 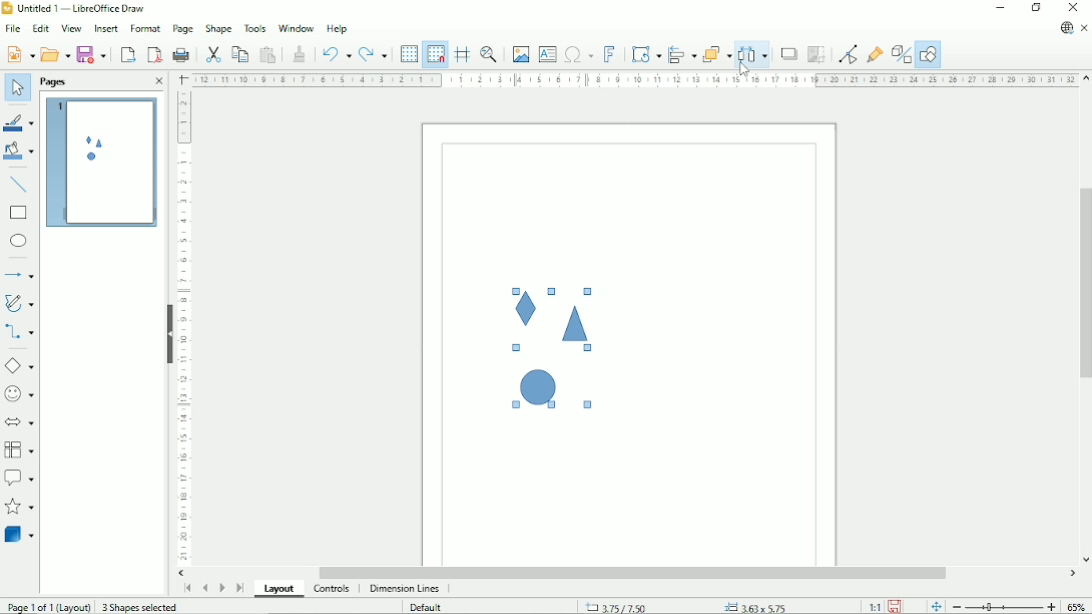 What do you see at coordinates (55, 82) in the screenshot?
I see `Pages` at bounding box center [55, 82].